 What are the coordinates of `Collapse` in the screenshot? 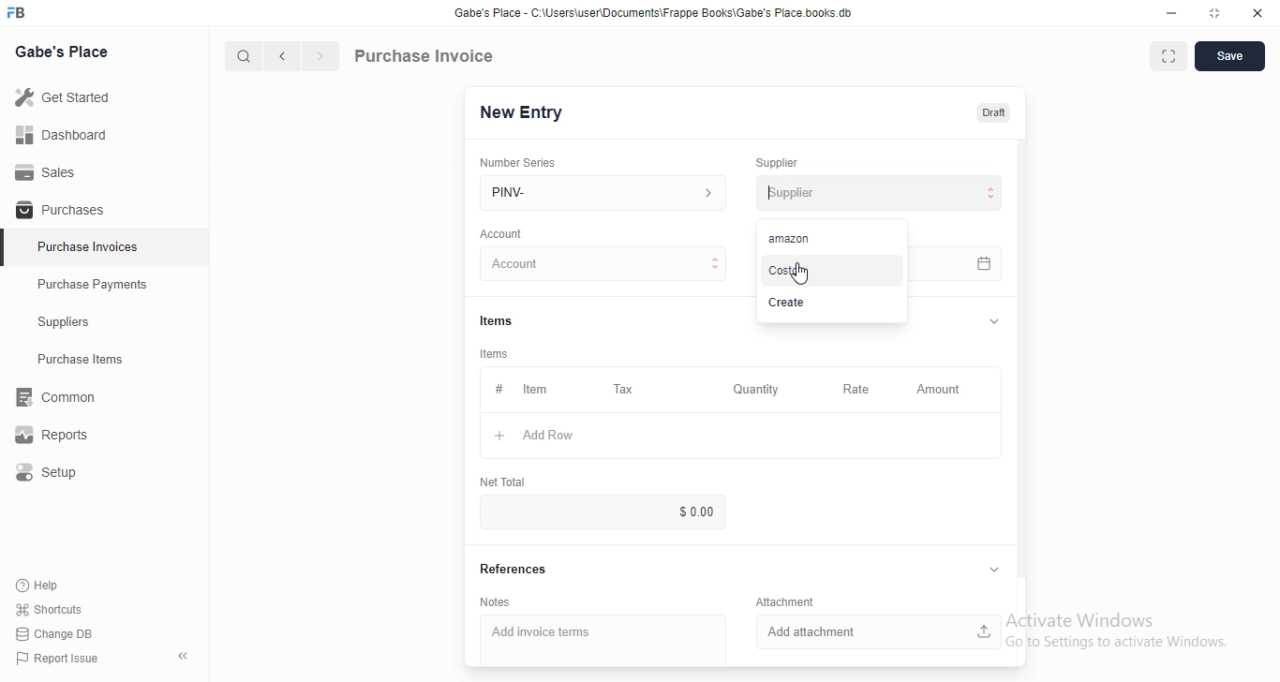 It's located at (994, 569).